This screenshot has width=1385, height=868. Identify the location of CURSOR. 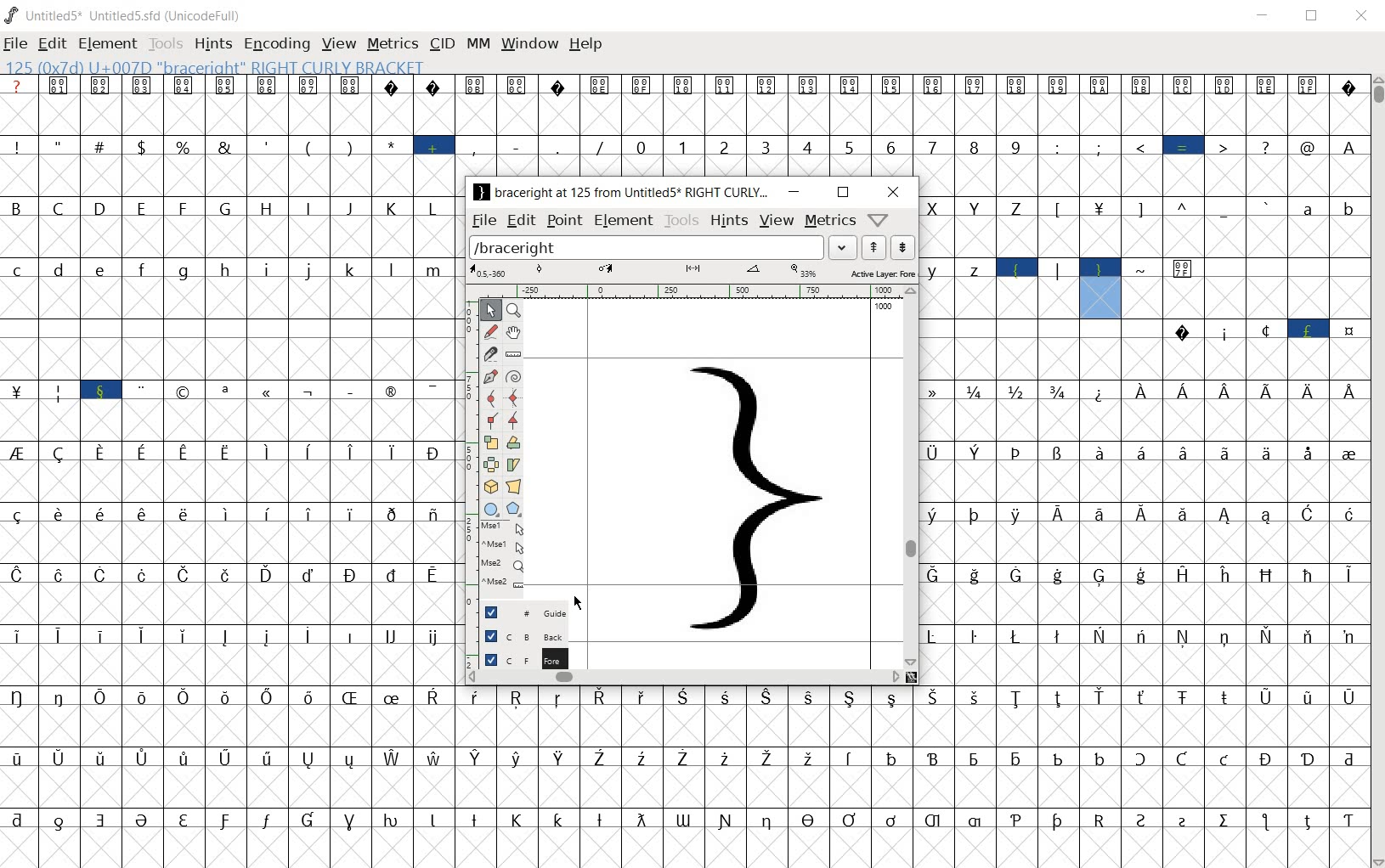
(577, 602).